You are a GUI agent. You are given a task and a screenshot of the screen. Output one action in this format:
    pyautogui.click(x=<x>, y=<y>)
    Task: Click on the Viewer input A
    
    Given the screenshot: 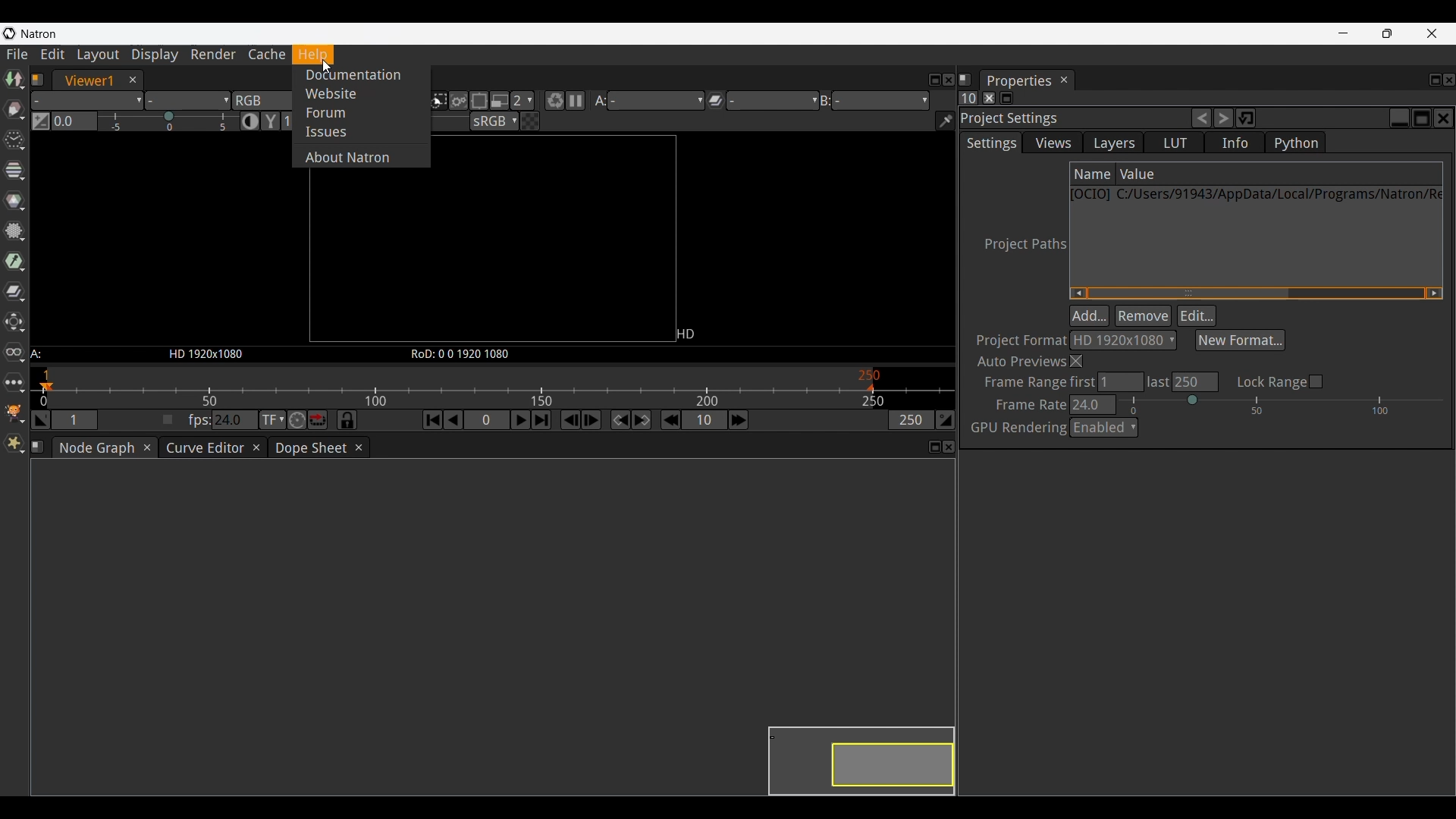 What is the action you would take?
    pyautogui.click(x=648, y=100)
    